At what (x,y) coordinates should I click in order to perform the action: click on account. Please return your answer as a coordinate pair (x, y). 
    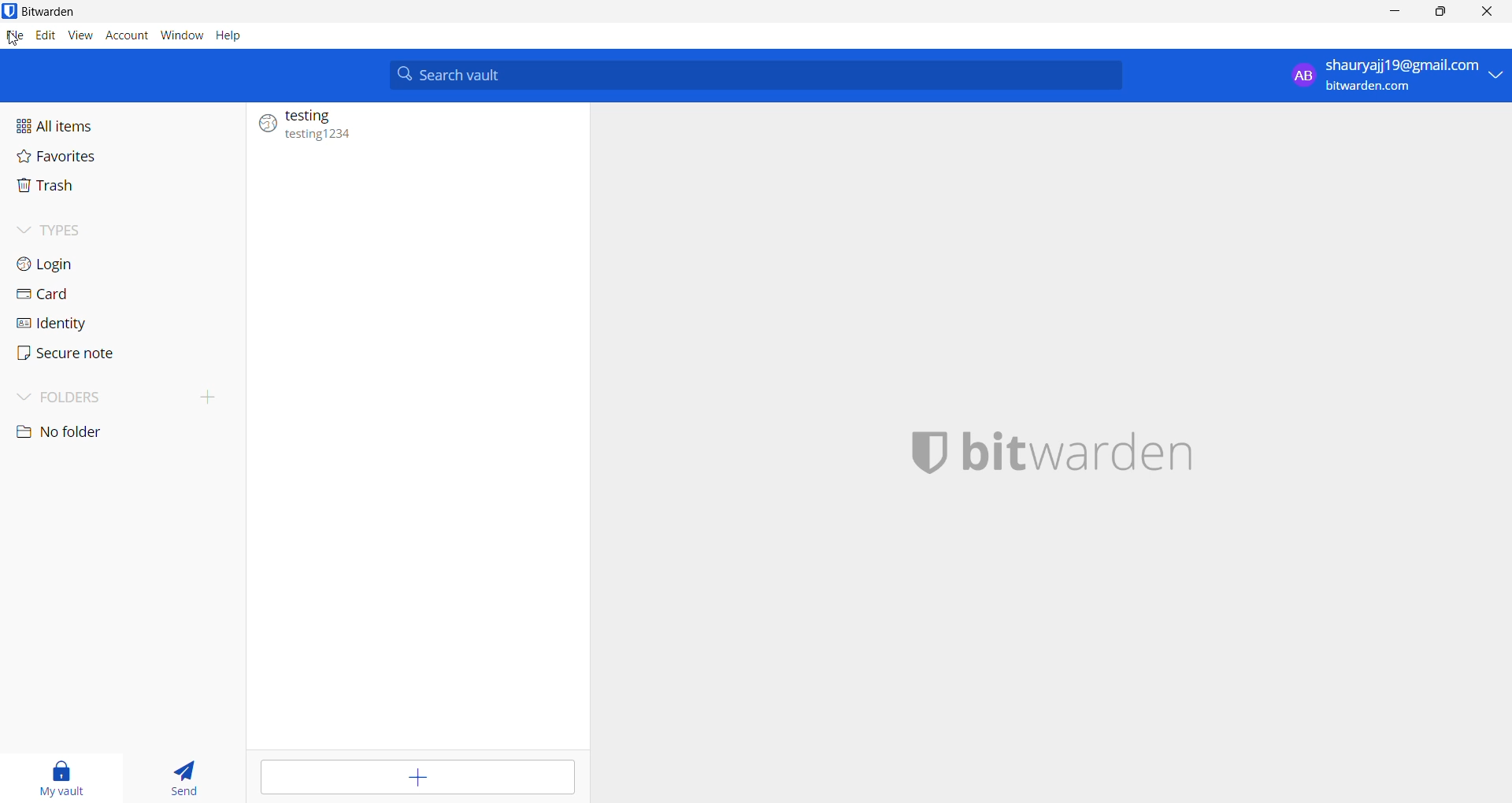
    Looking at the image, I should click on (124, 36).